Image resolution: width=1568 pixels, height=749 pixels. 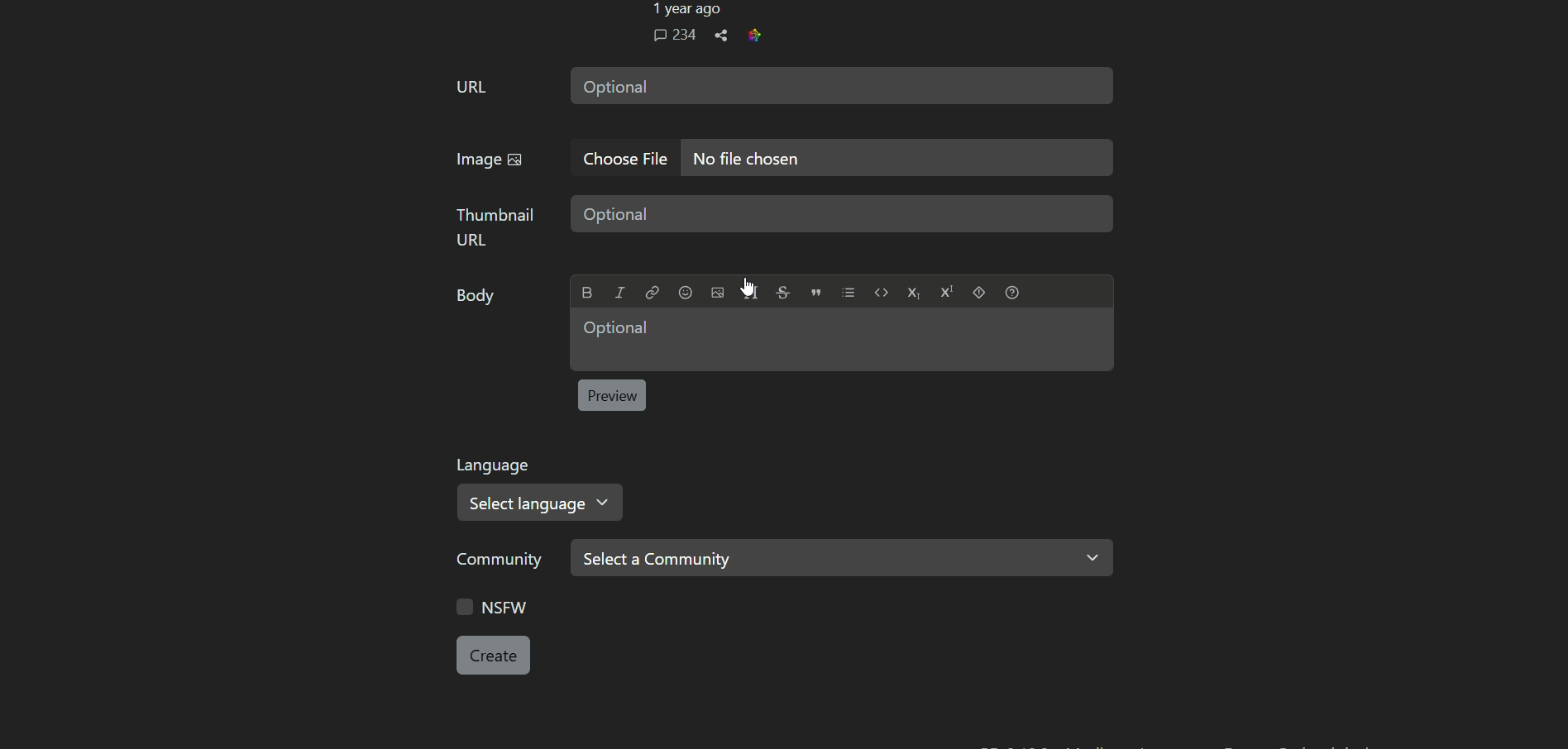 What do you see at coordinates (746, 287) in the screenshot?
I see `Cursor` at bounding box center [746, 287].